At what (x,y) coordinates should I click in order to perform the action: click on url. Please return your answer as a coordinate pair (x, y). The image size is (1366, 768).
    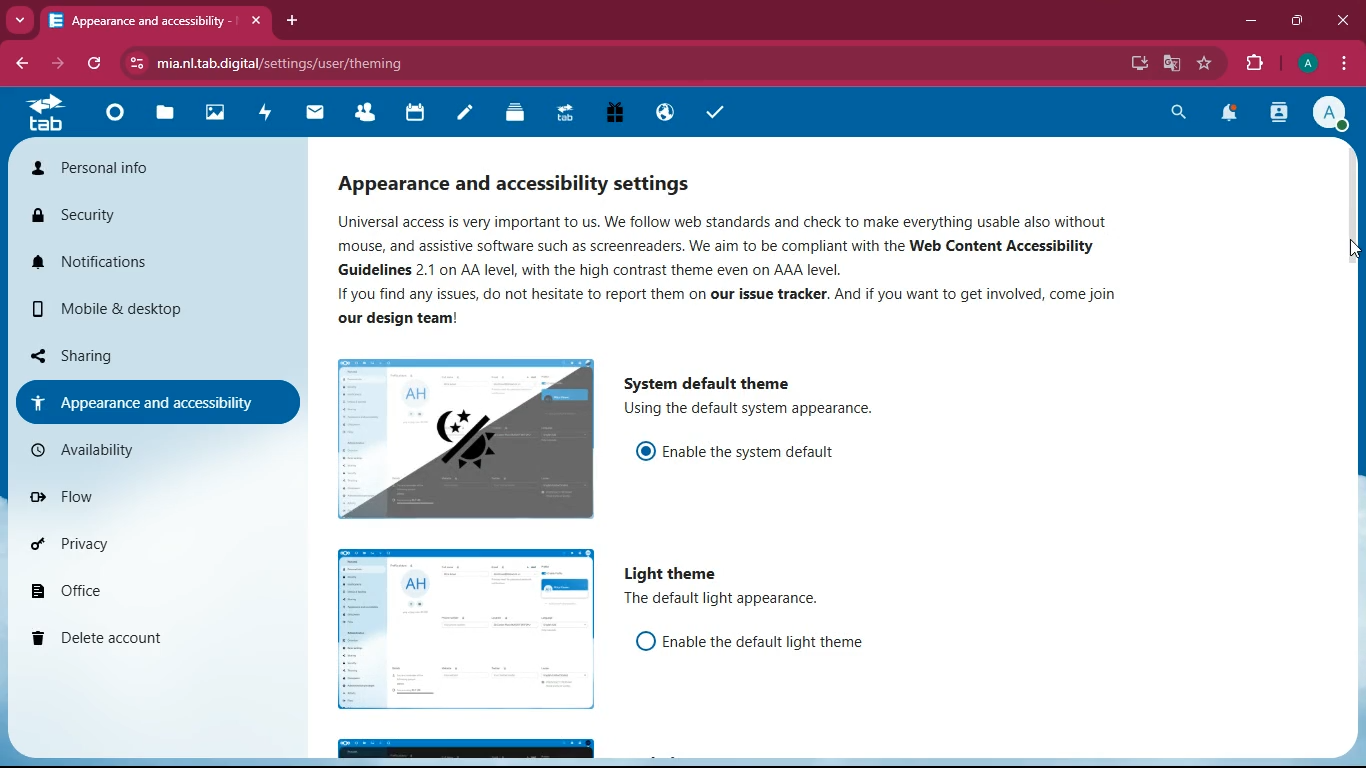
    Looking at the image, I should click on (295, 60).